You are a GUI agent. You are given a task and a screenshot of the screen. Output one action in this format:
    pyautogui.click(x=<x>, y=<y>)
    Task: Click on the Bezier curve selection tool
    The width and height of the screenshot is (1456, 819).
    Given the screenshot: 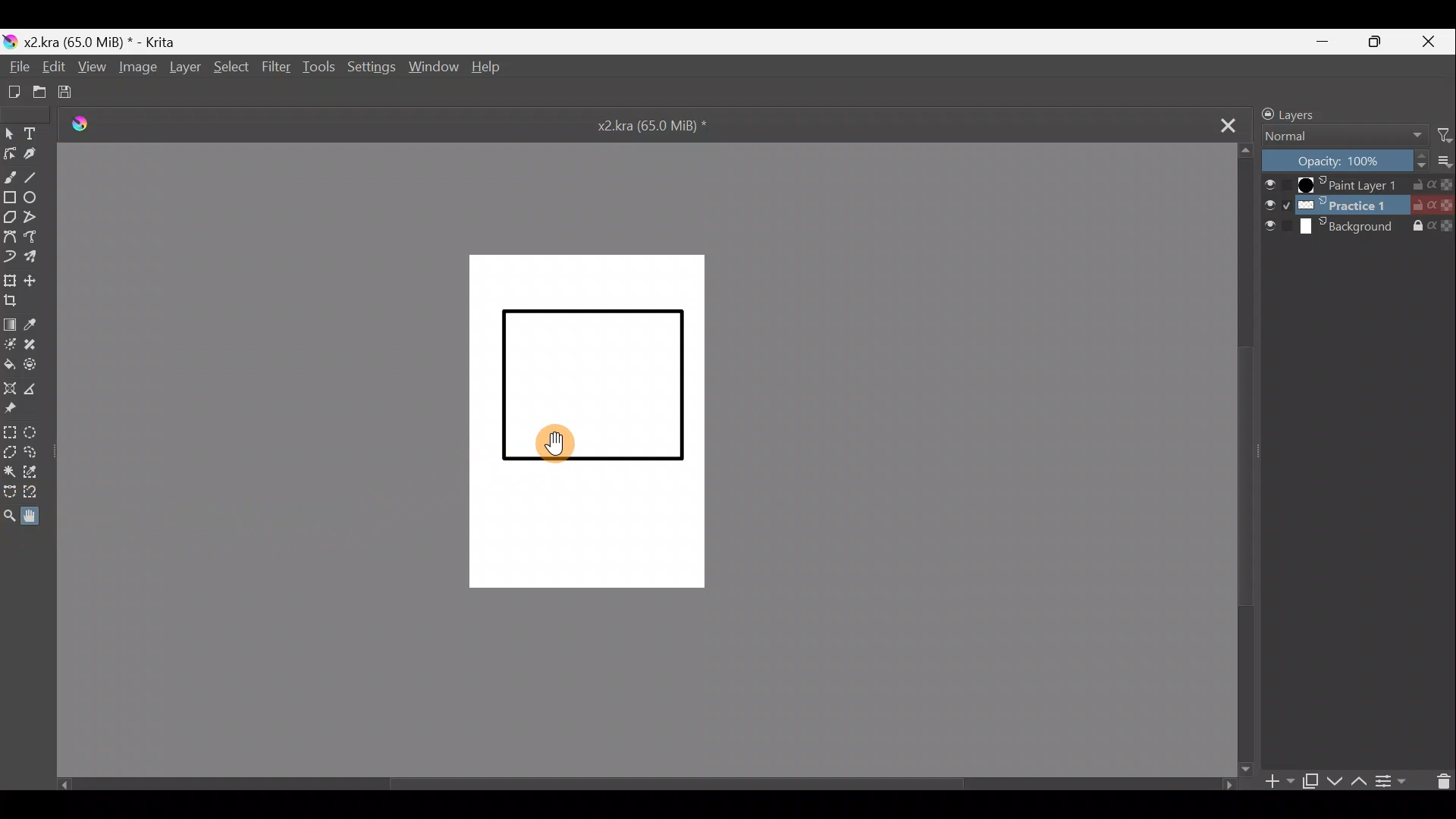 What is the action you would take?
    pyautogui.click(x=11, y=494)
    